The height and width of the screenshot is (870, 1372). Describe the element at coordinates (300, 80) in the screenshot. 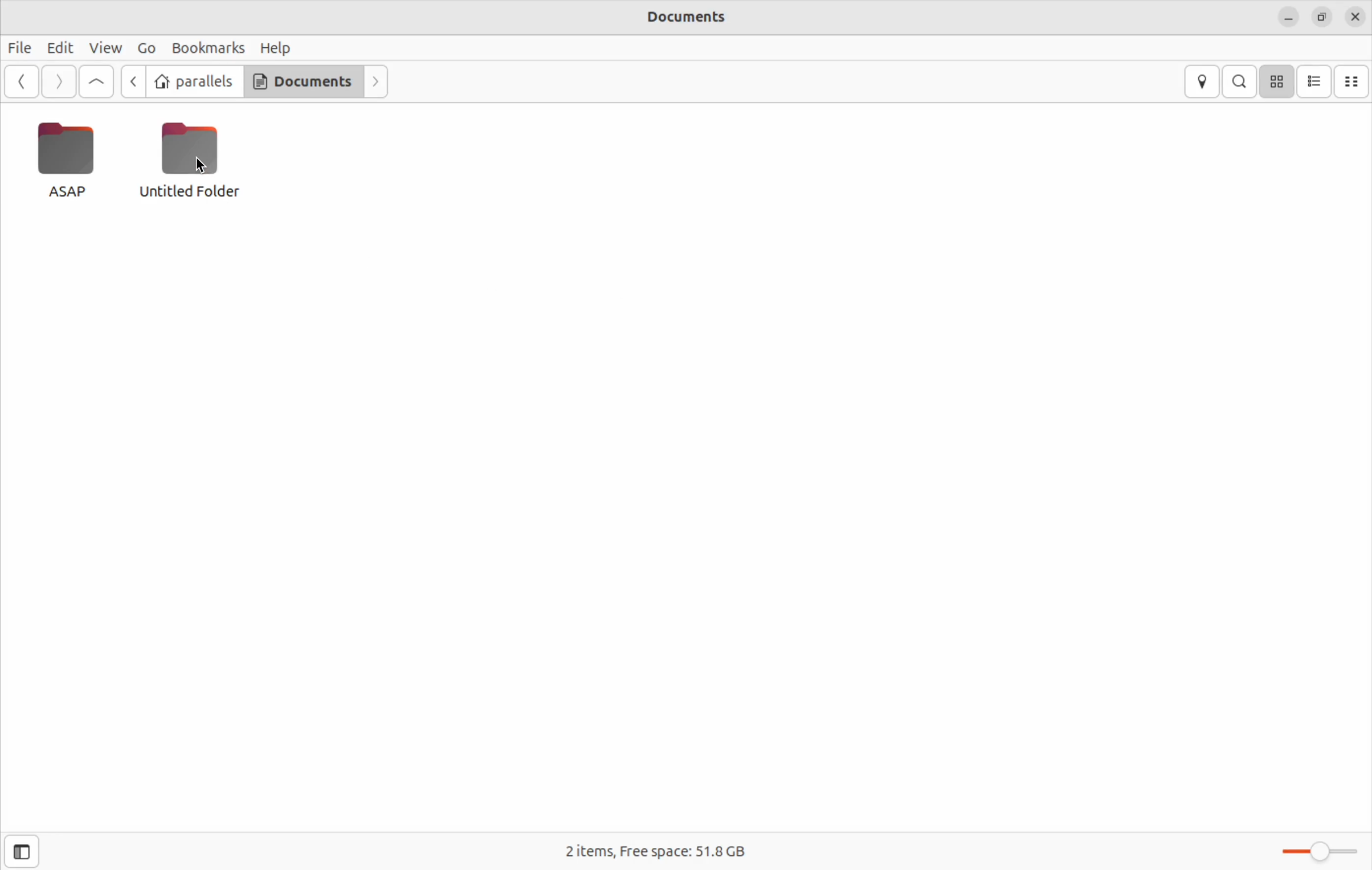

I see `Documents` at that location.